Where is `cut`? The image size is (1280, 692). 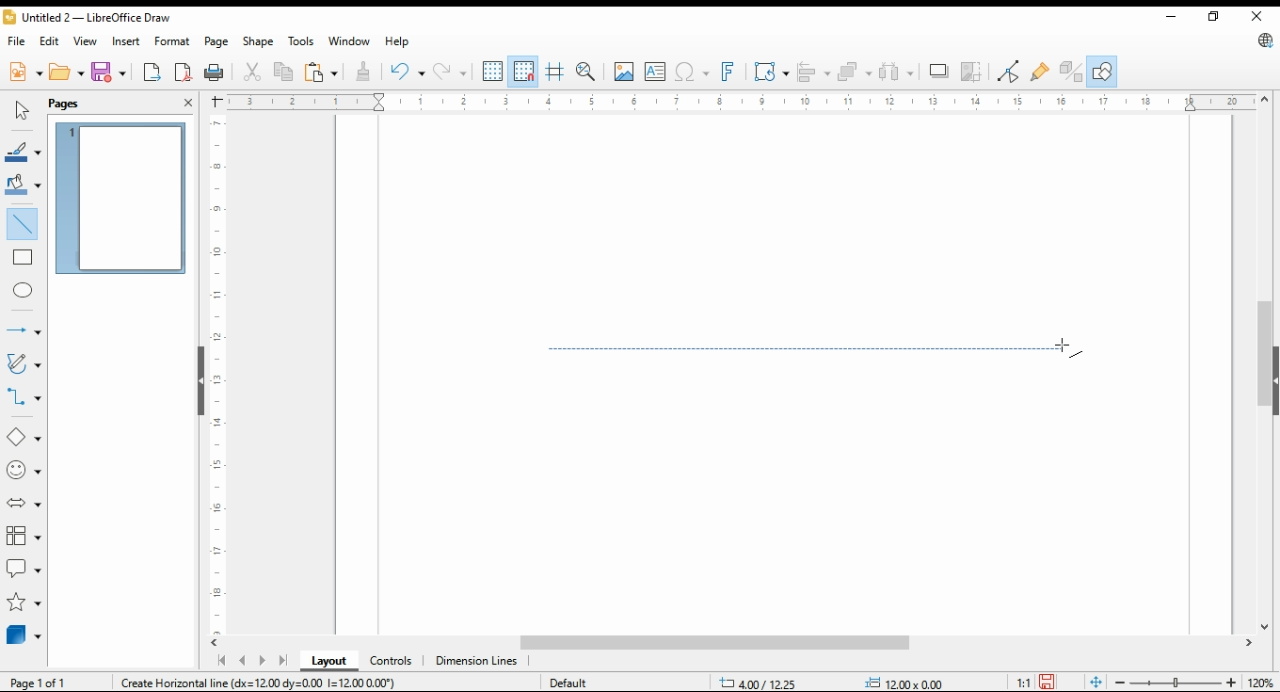 cut is located at coordinates (250, 73).